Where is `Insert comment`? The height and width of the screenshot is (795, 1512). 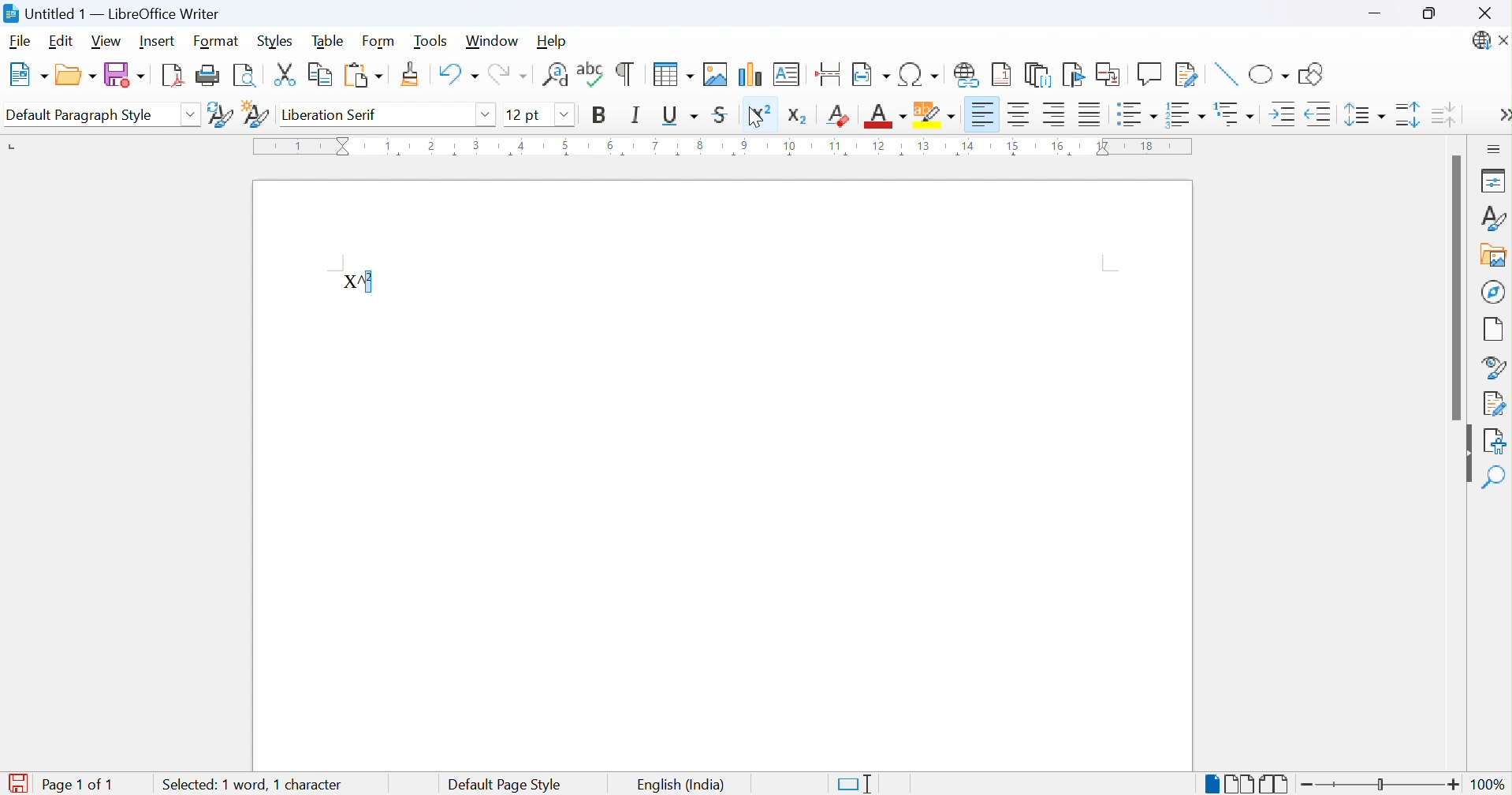
Insert comment is located at coordinates (1151, 73).